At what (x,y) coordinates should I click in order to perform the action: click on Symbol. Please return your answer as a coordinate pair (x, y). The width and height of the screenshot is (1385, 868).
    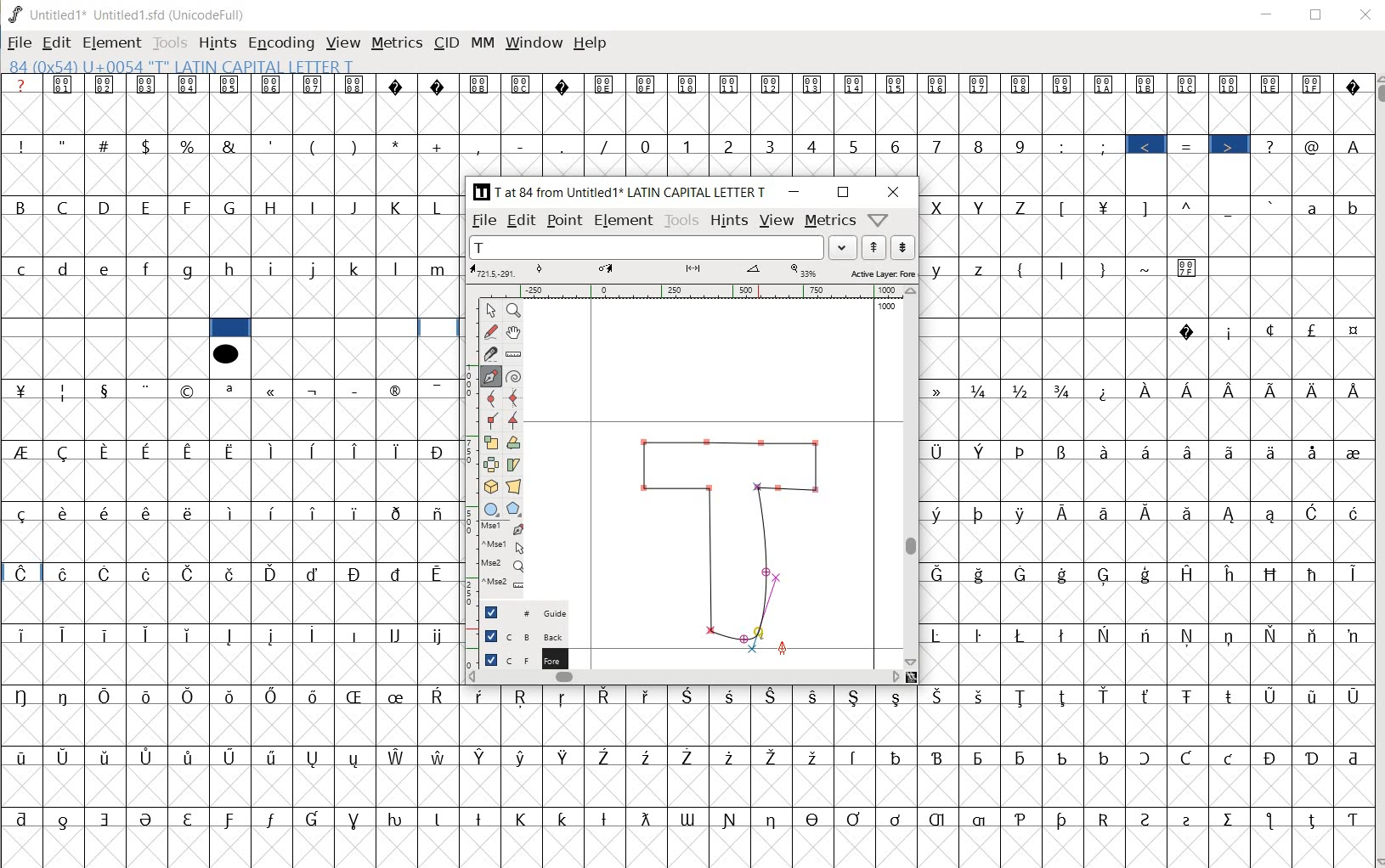
    Looking at the image, I should click on (1105, 391).